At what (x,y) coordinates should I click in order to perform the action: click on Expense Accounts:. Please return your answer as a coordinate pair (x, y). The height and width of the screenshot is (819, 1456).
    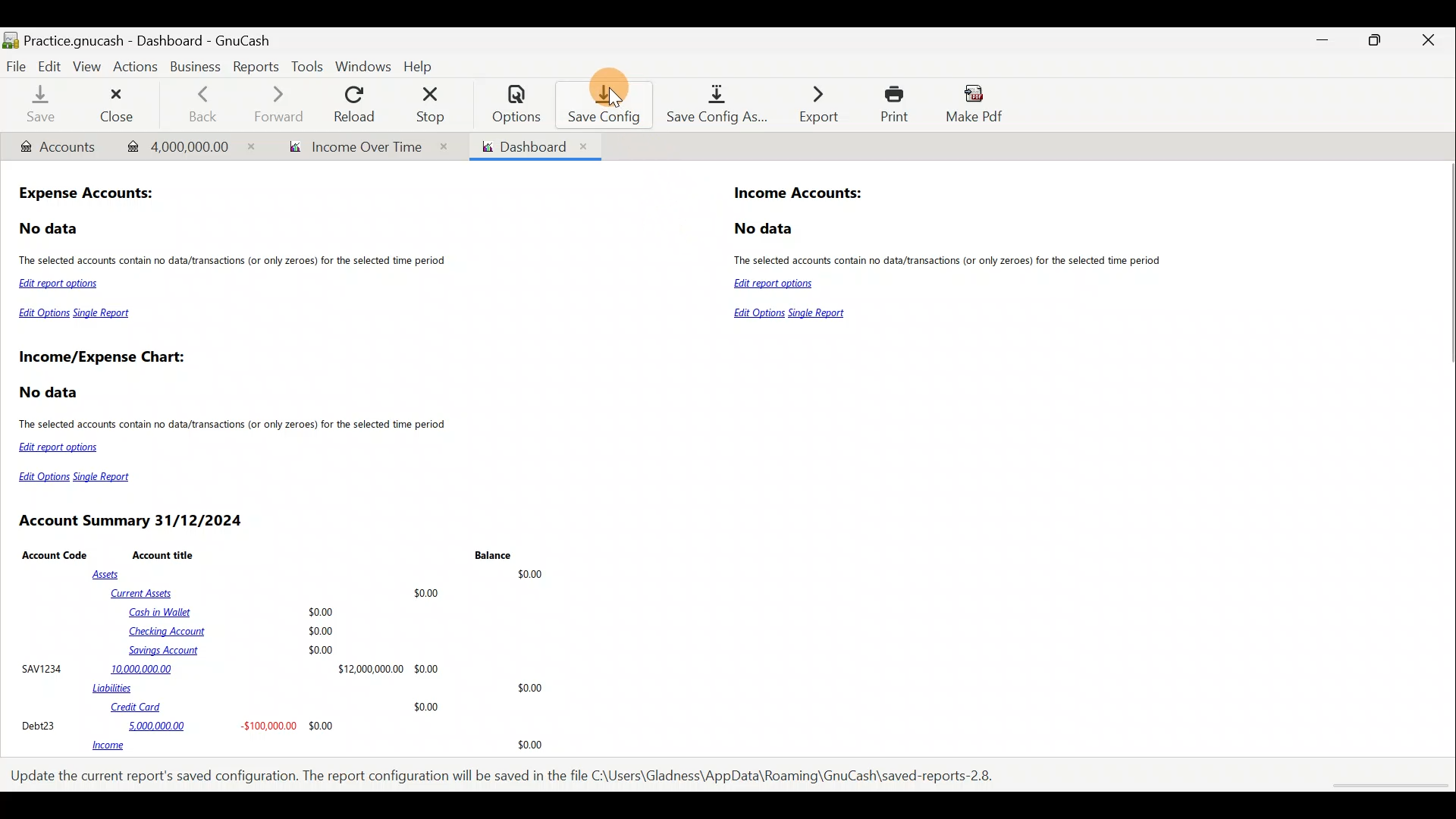
    Looking at the image, I should click on (88, 195).